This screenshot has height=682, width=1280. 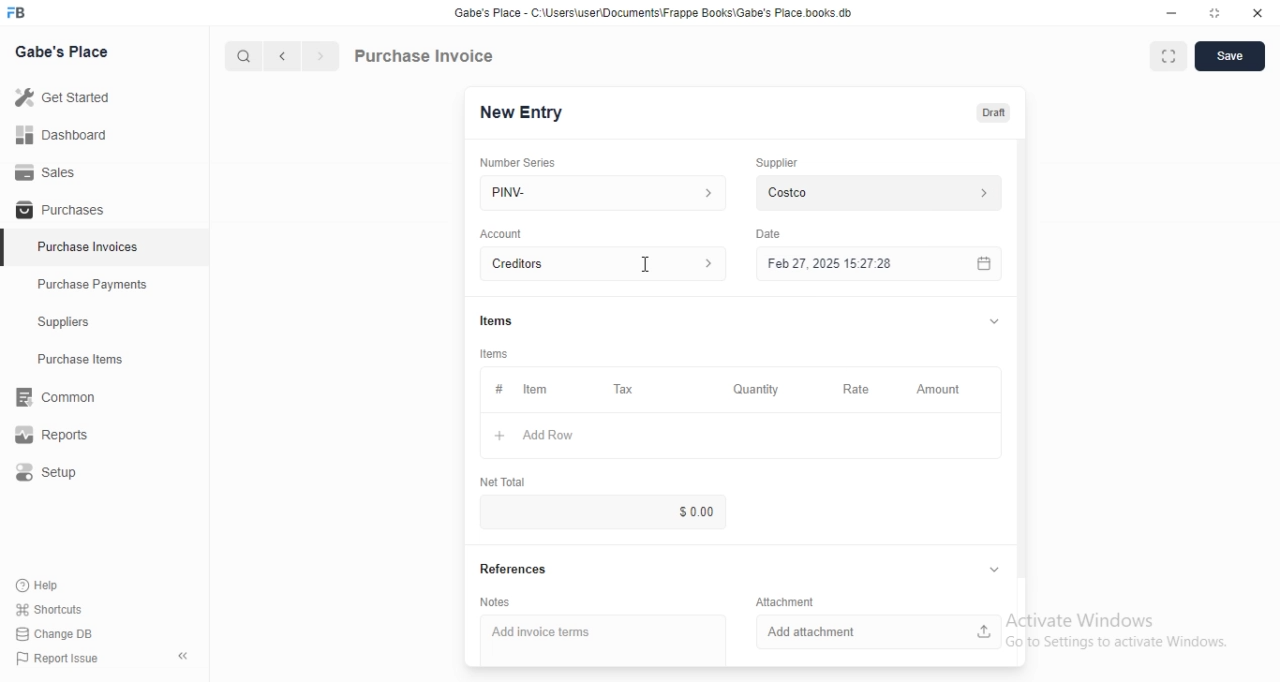 I want to click on Toggle between form and full width, so click(x=1169, y=56).